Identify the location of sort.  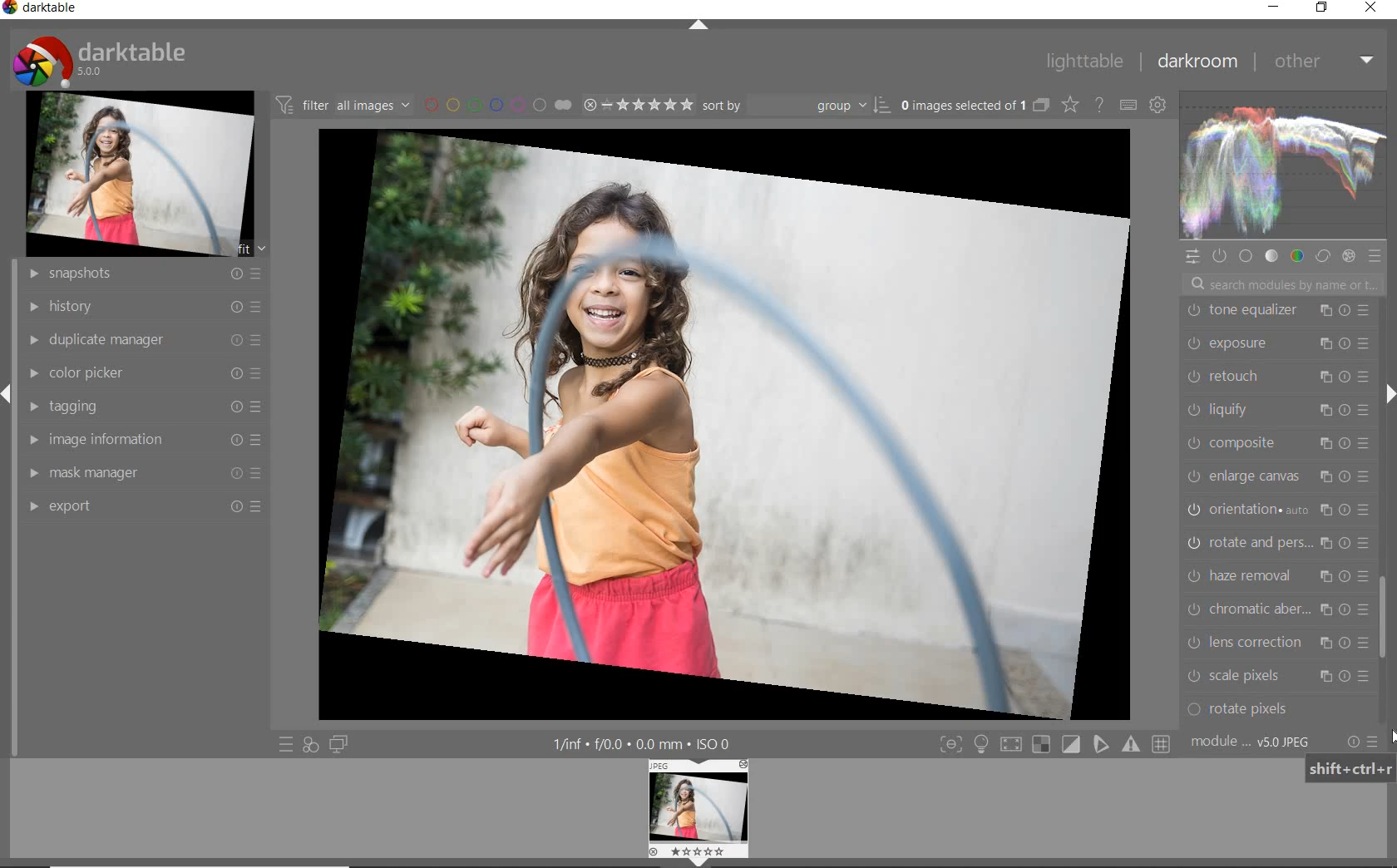
(797, 104).